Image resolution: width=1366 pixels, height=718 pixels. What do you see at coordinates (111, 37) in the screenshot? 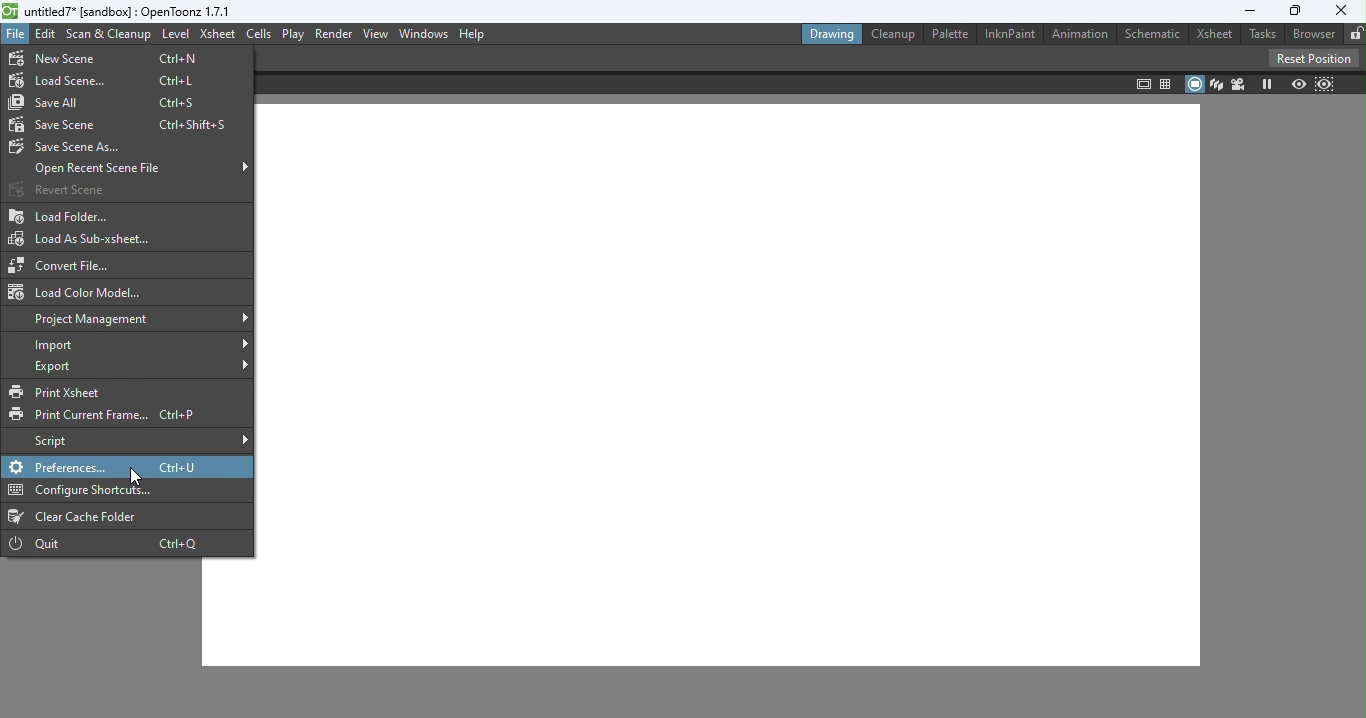
I see `Scan & Cleanup` at bounding box center [111, 37].